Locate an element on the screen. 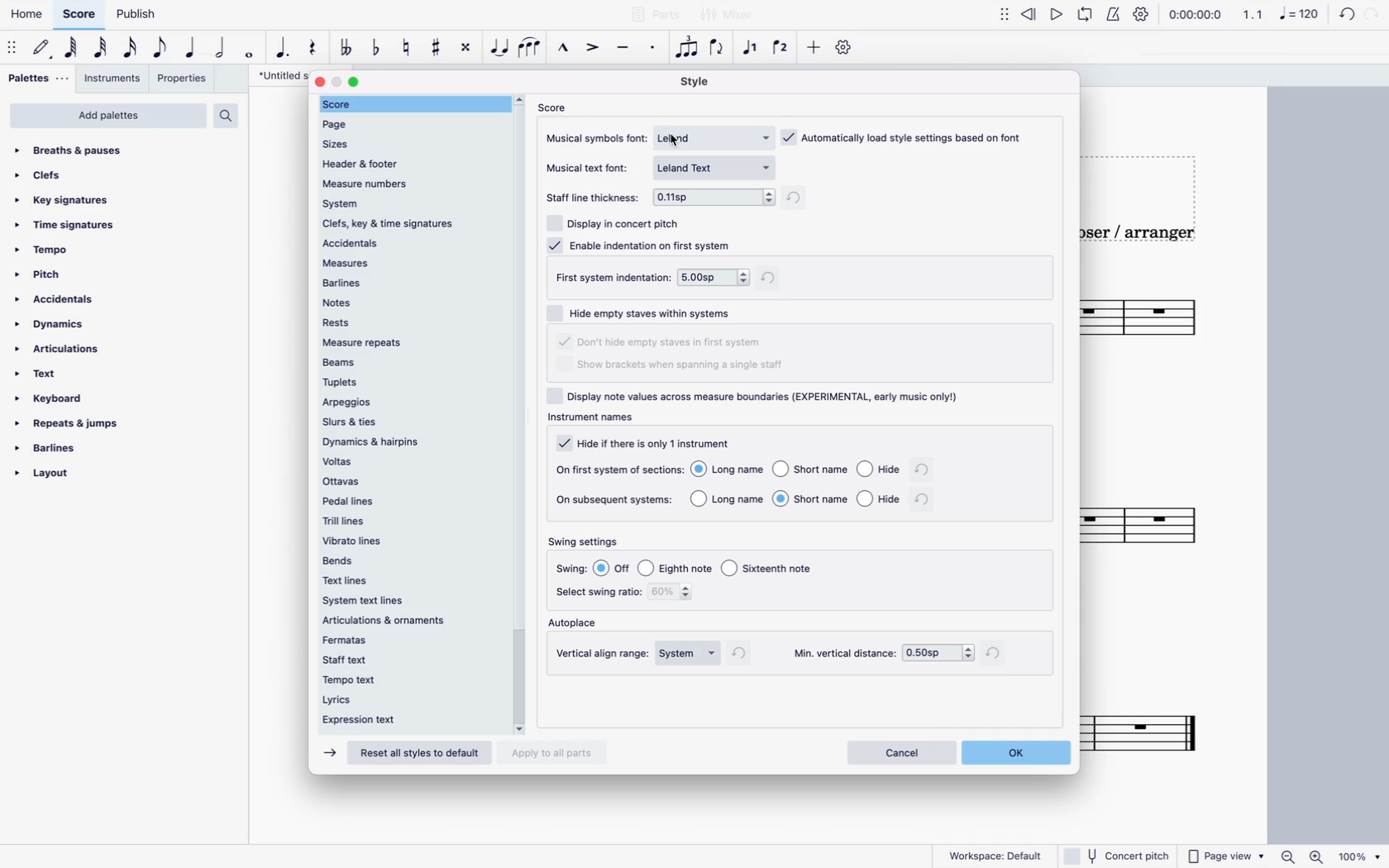 The height and width of the screenshot is (868, 1389). min vertical distance is located at coordinates (938, 654).